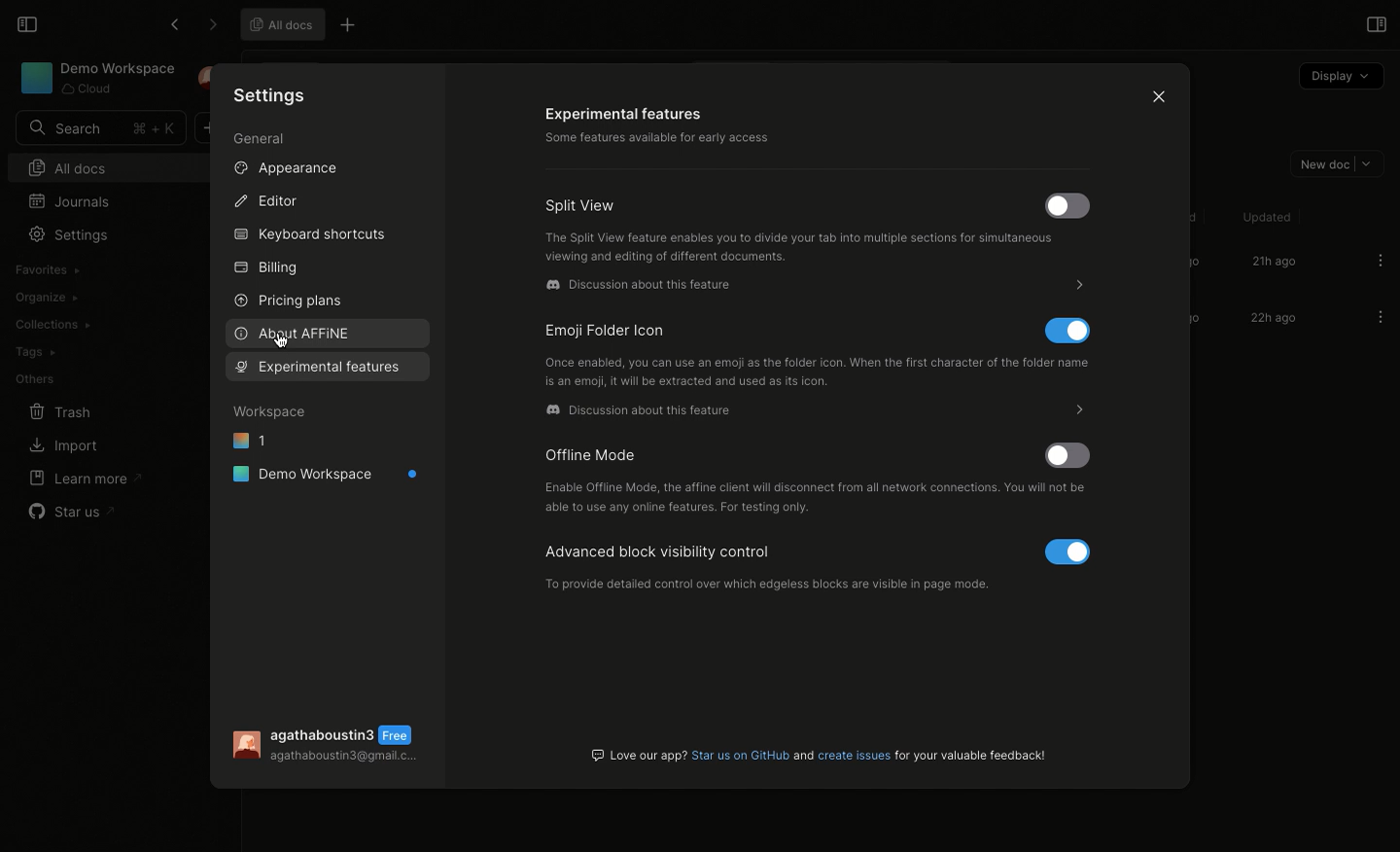  Describe the element at coordinates (1381, 260) in the screenshot. I see `Options` at that location.